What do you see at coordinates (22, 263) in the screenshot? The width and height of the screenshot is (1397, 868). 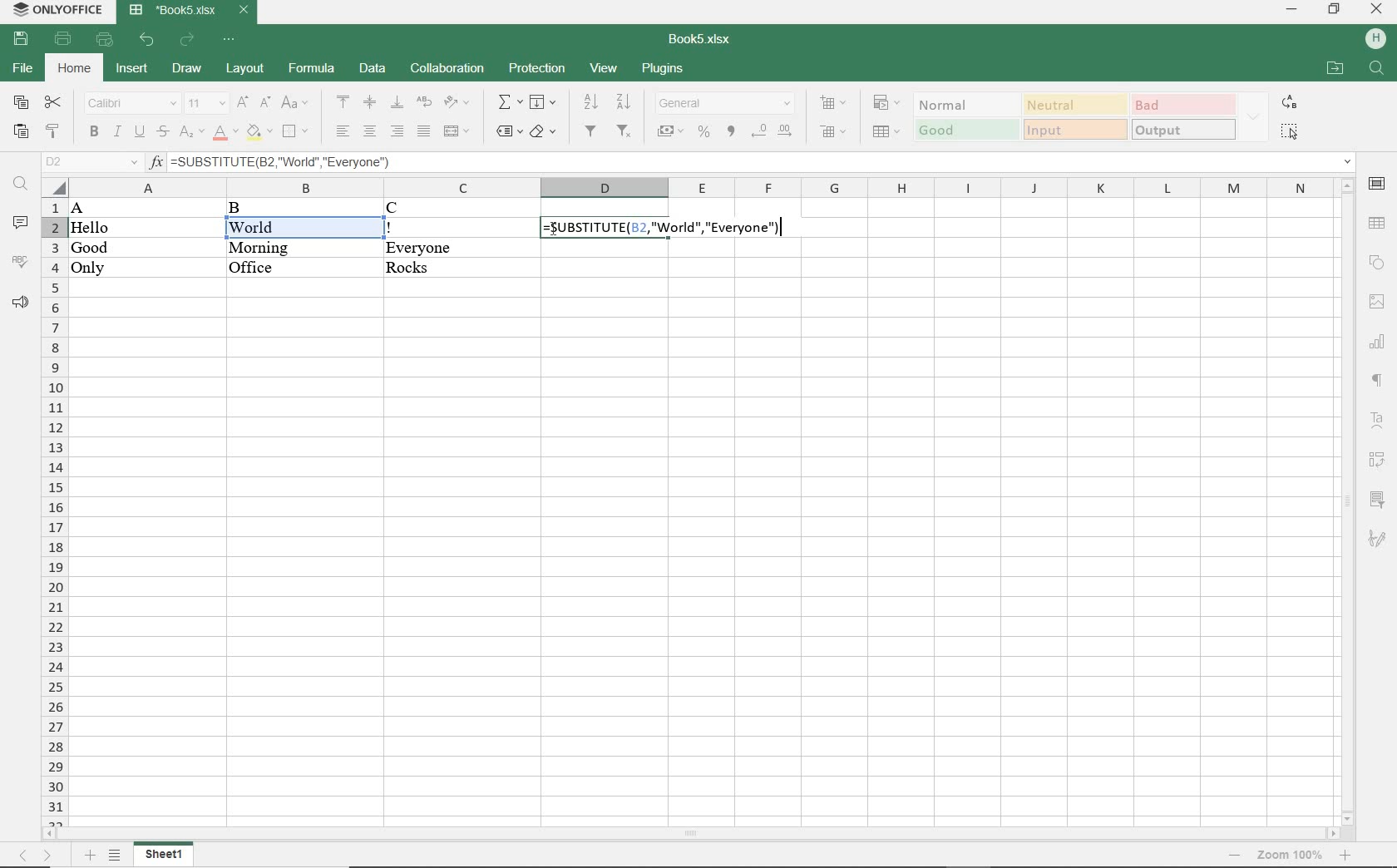 I see `spelling check` at bounding box center [22, 263].